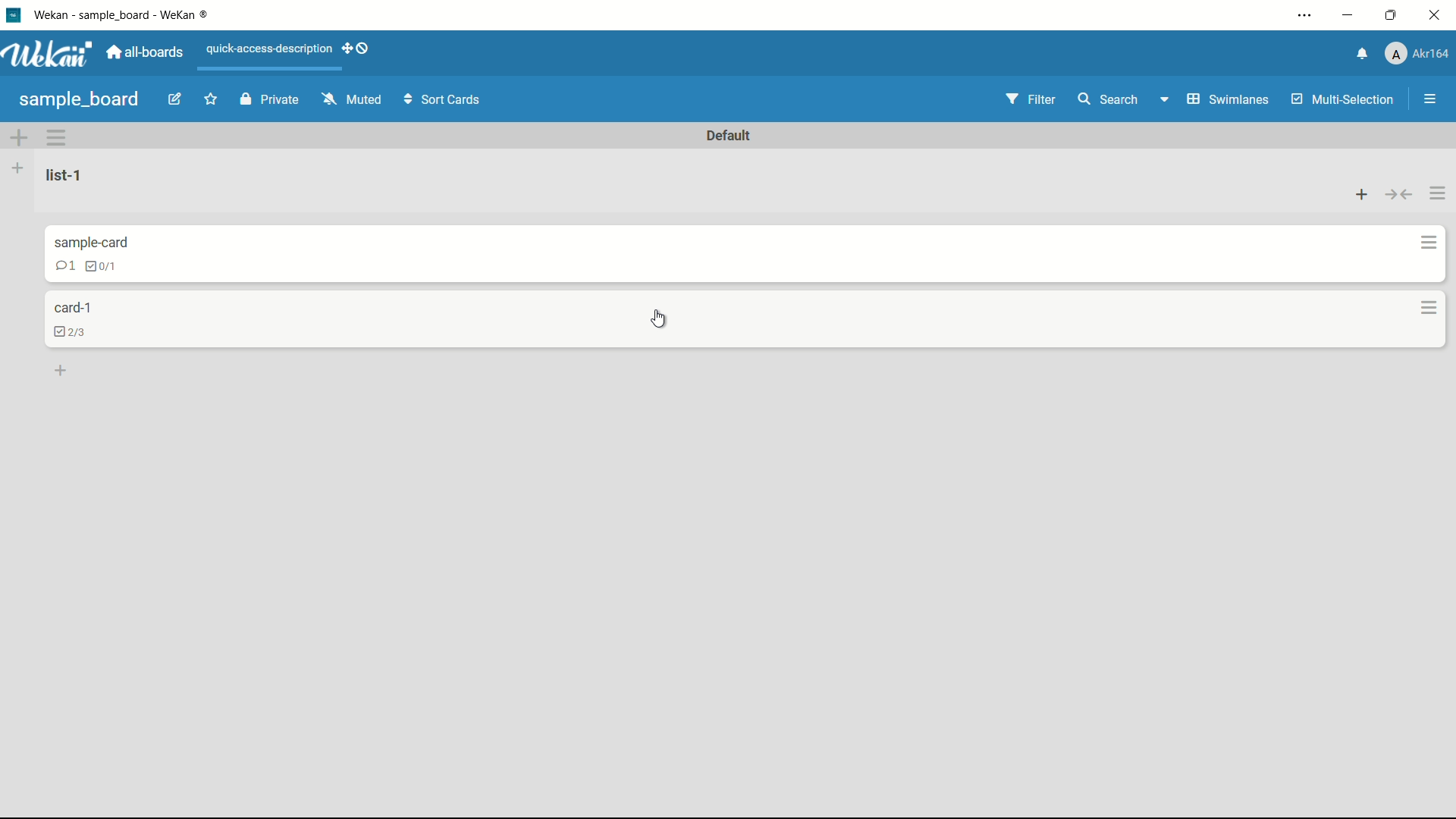 This screenshot has width=1456, height=819. I want to click on settings and more, so click(1300, 15).